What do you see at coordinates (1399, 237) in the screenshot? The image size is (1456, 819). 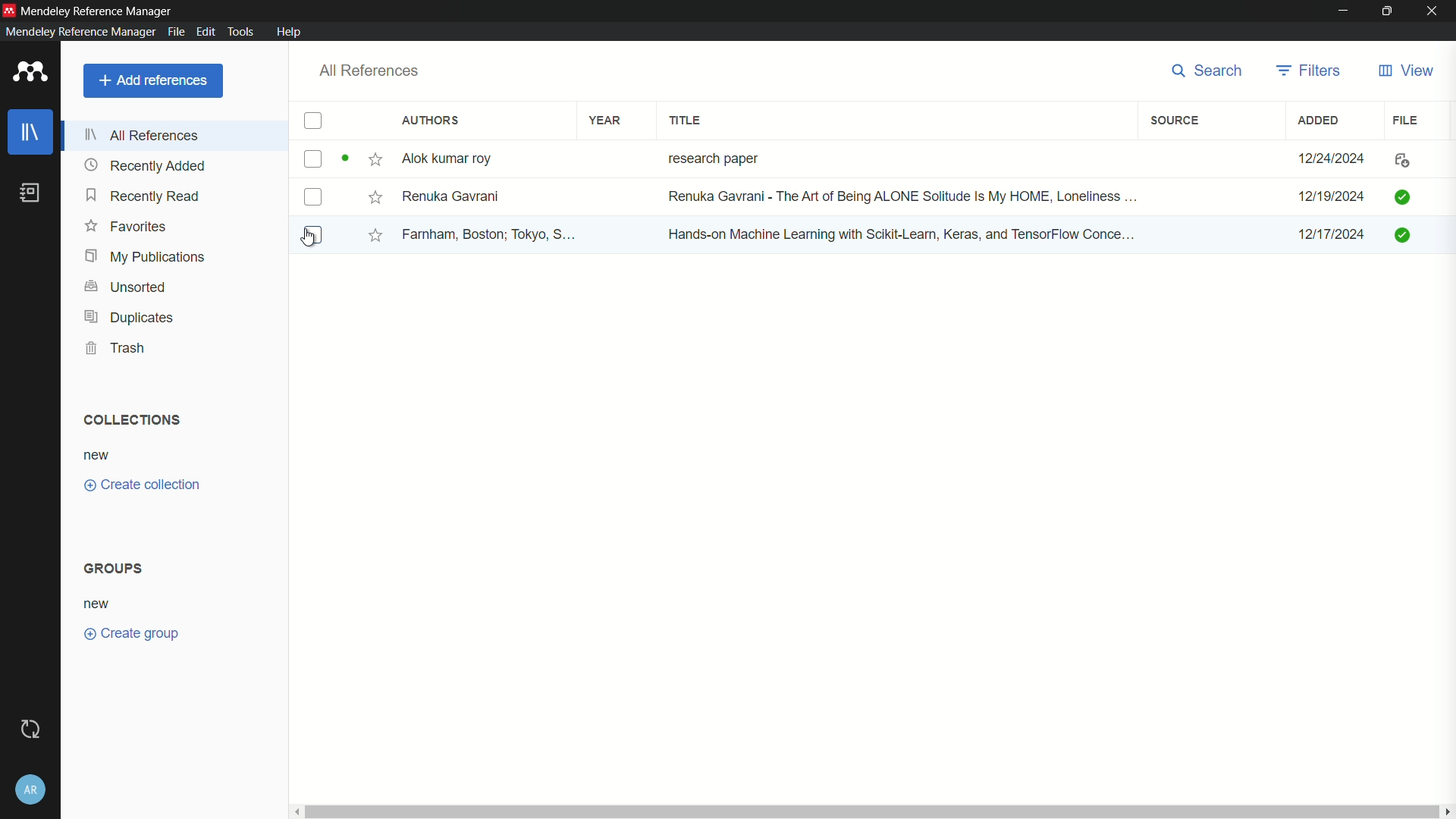 I see `icon` at bounding box center [1399, 237].